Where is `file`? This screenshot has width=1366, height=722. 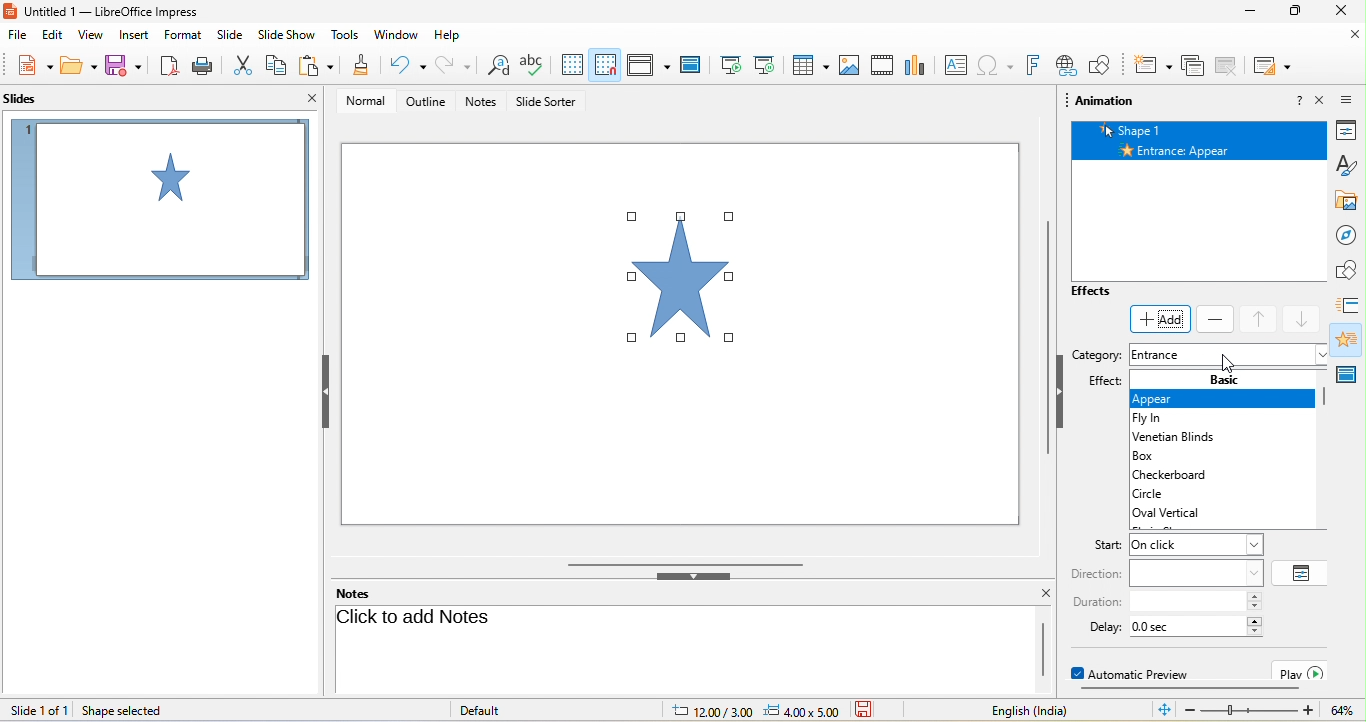
file is located at coordinates (18, 36).